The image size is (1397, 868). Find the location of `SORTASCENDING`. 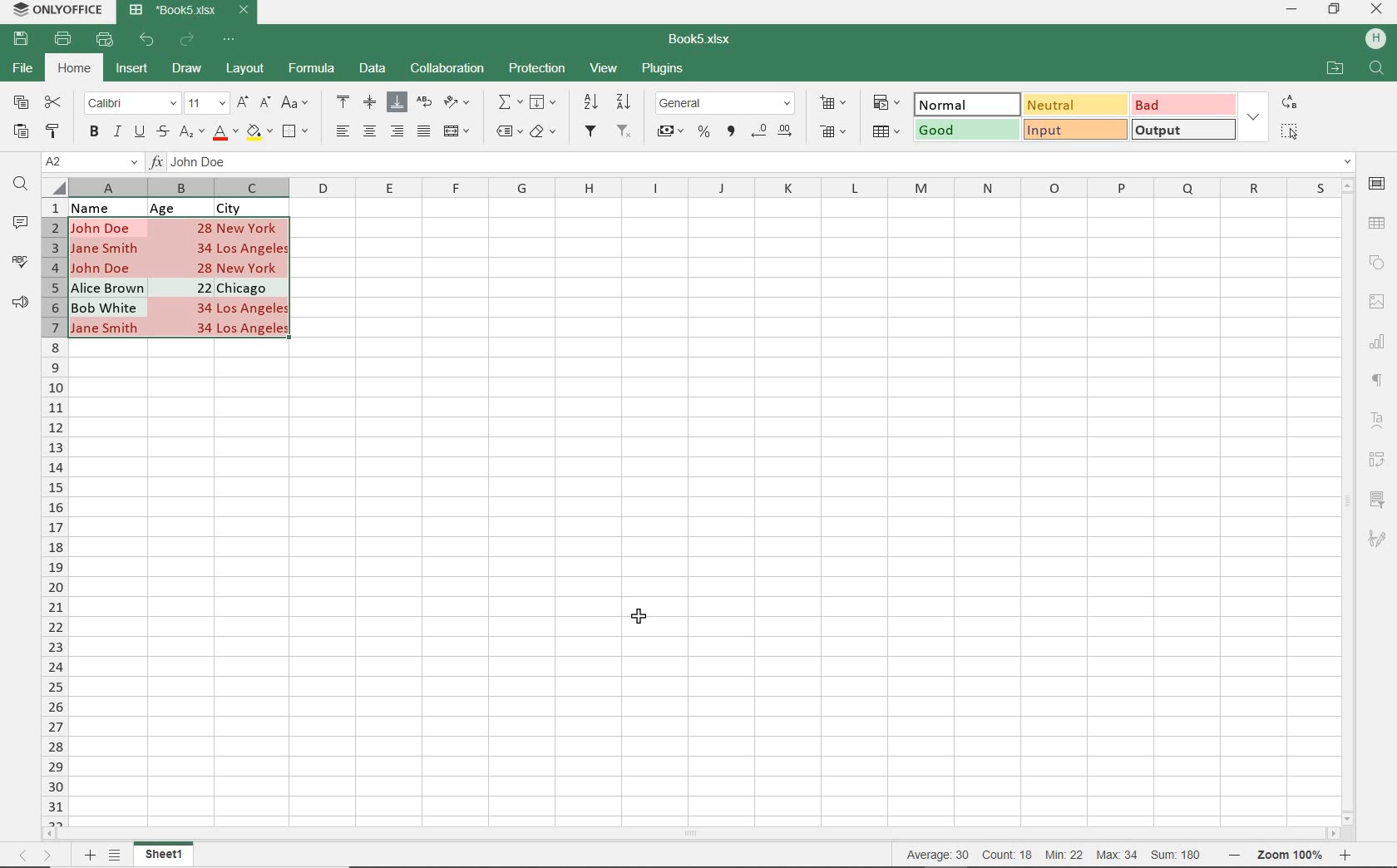

SORTASCENDING is located at coordinates (592, 102).